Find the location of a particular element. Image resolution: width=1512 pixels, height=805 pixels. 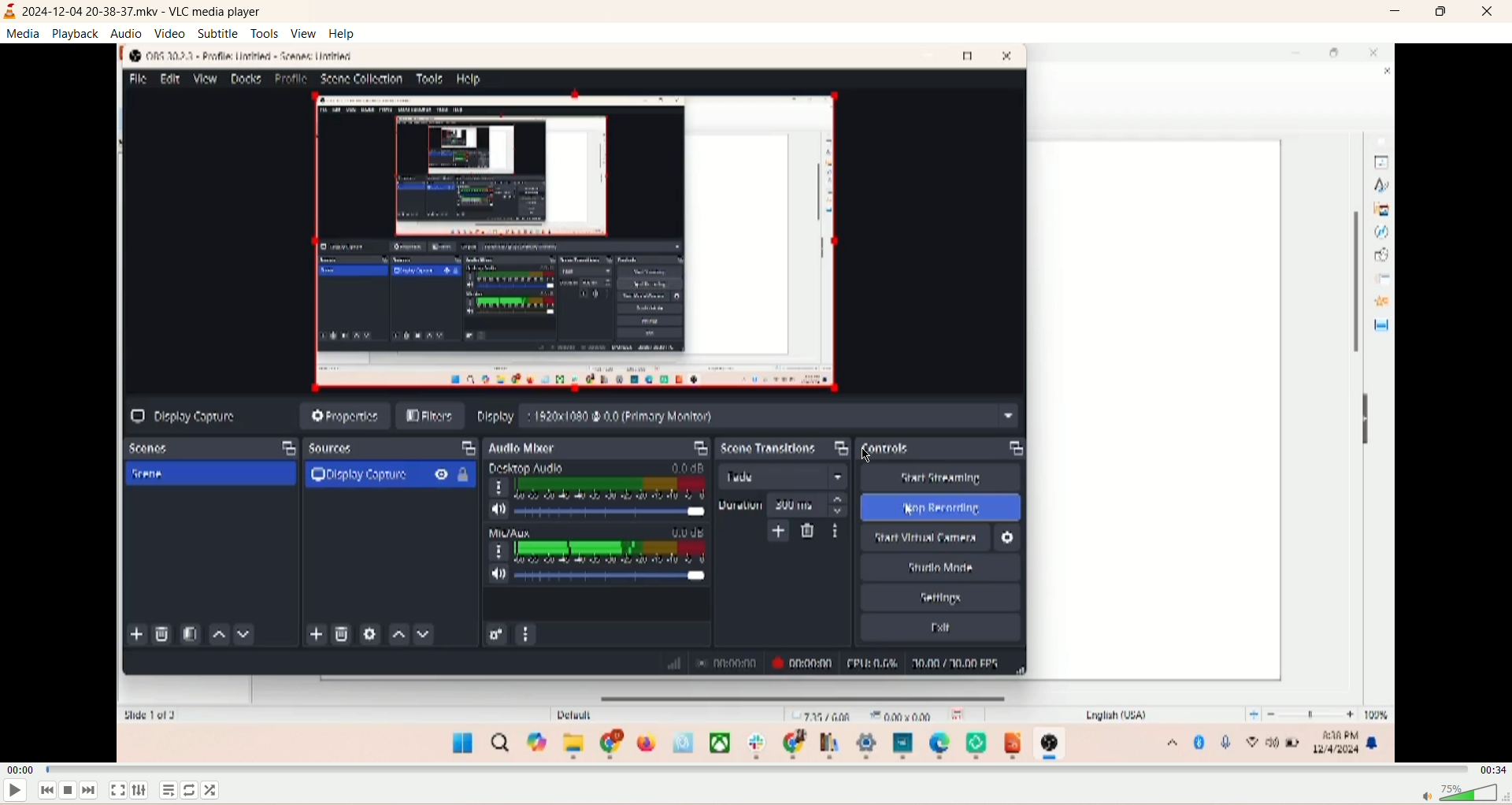

media is located at coordinates (23, 34).